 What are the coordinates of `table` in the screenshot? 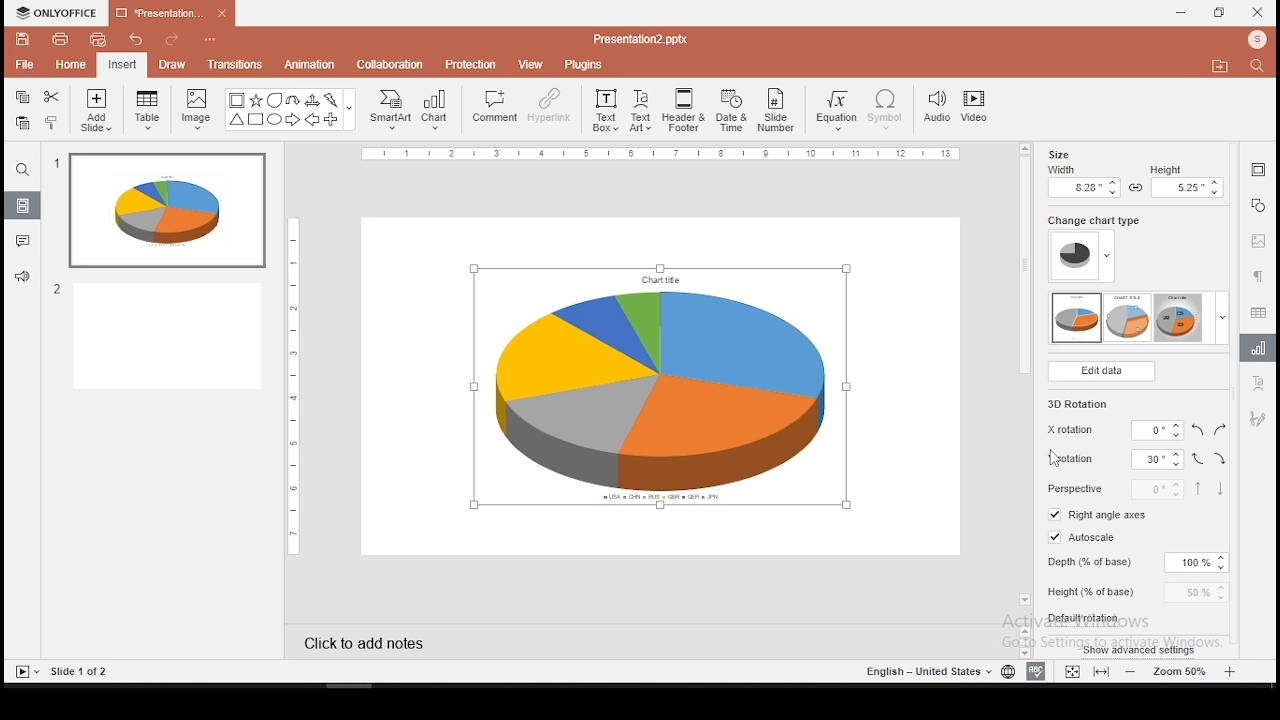 It's located at (150, 112).